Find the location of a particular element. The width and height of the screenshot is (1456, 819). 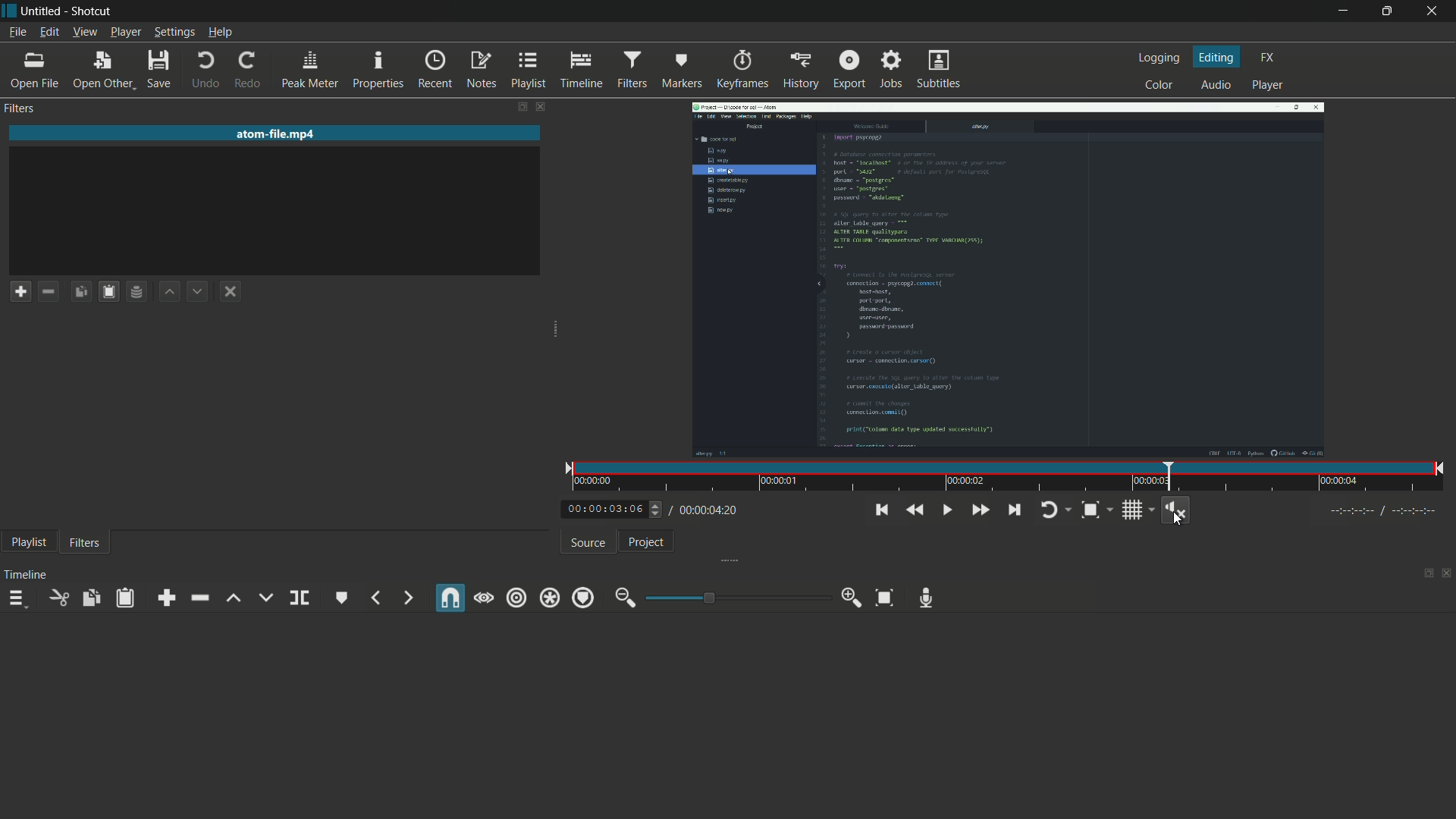

ripple all tracks is located at coordinates (548, 598).